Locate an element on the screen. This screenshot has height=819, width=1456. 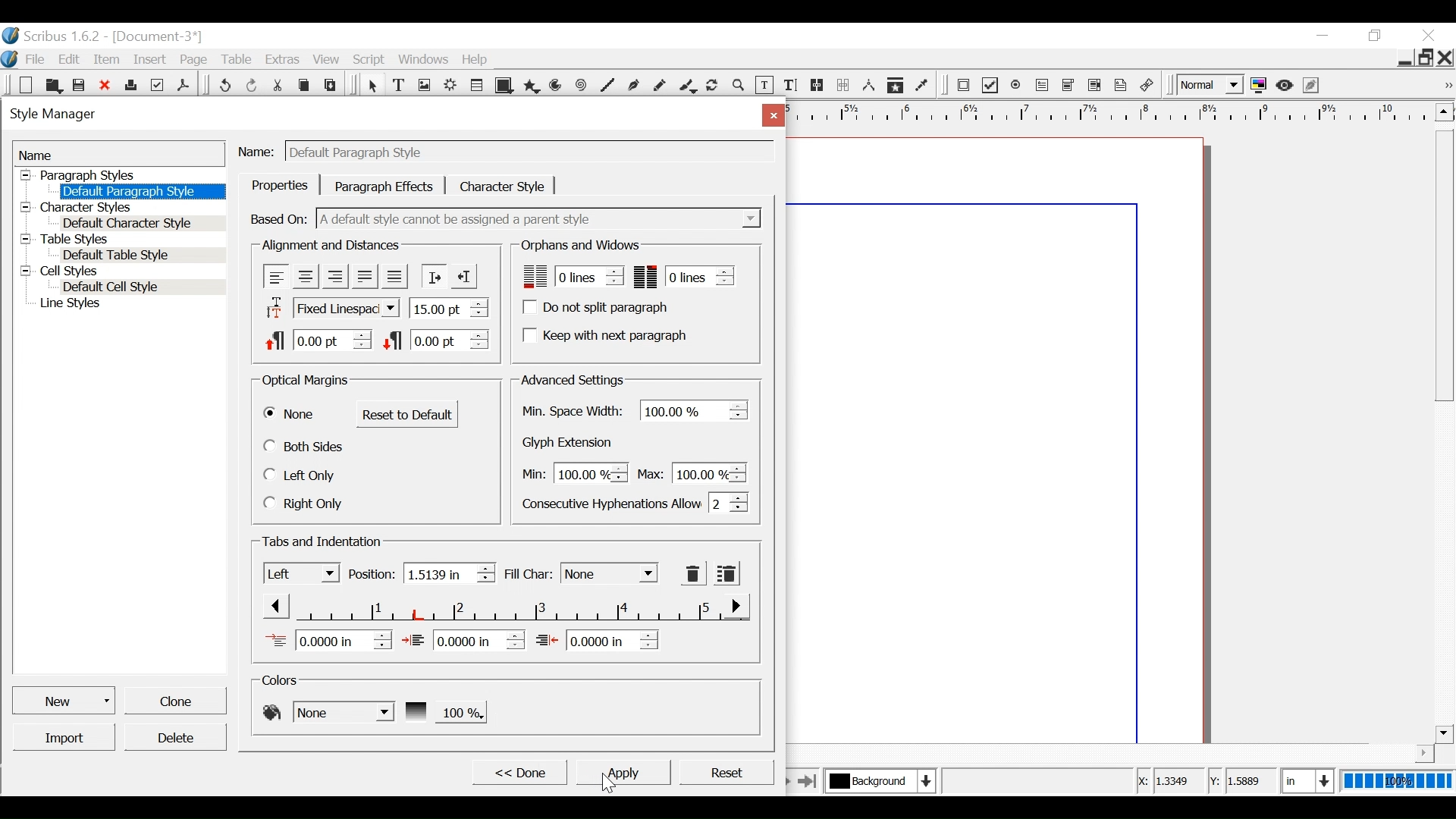
PDF Checkbox is located at coordinates (990, 86).